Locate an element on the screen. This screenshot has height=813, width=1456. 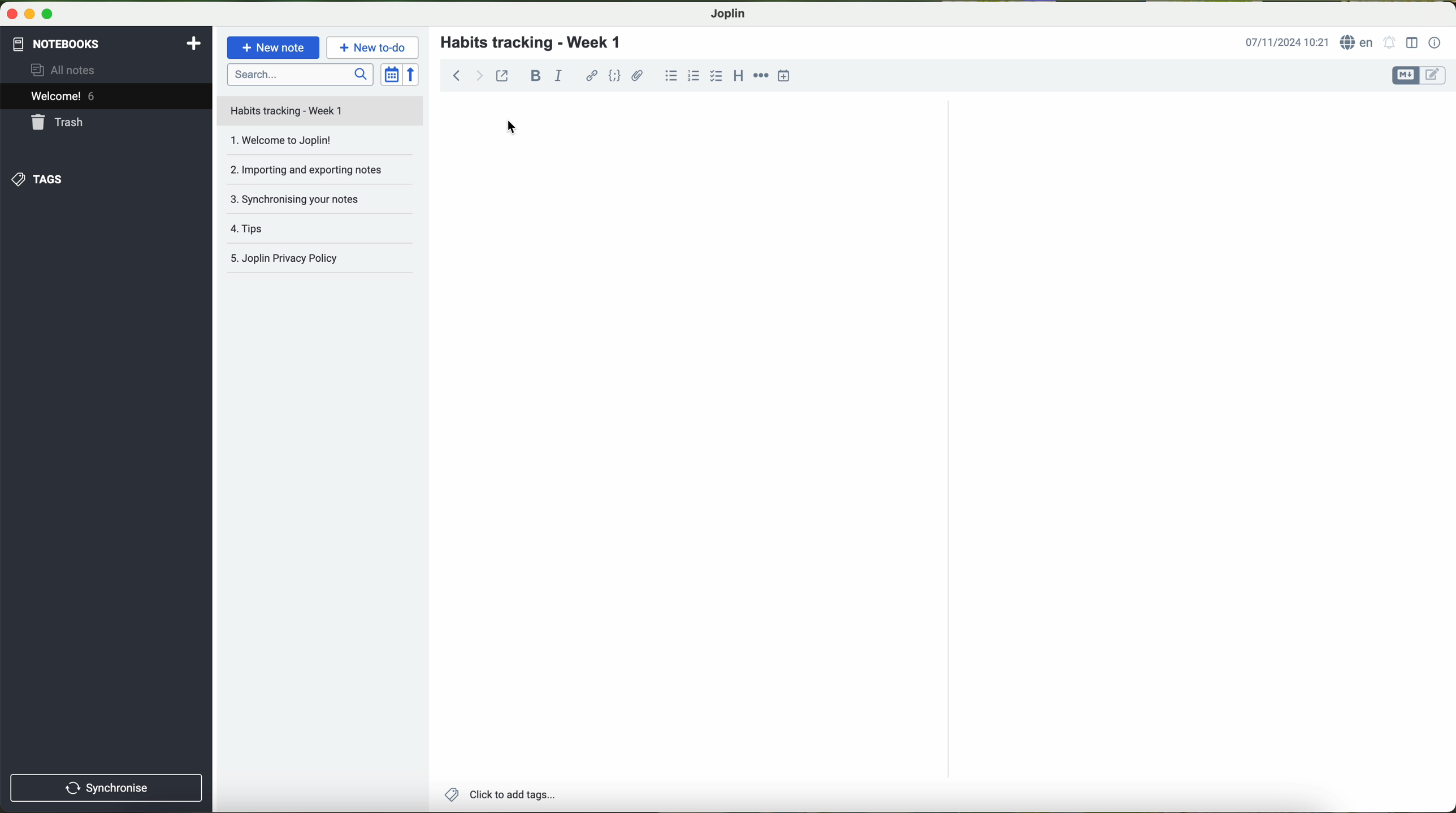
Joplin is located at coordinates (727, 14).